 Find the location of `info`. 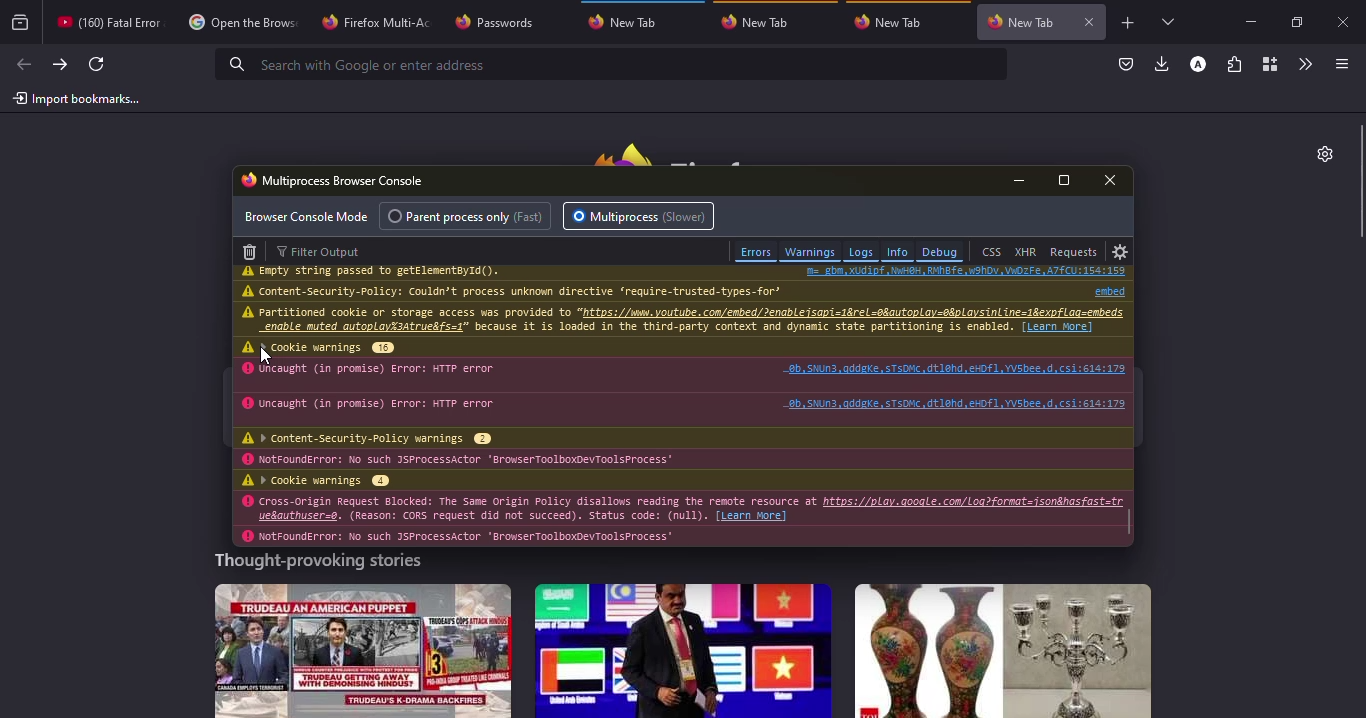

info is located at coordinates (383, 369).